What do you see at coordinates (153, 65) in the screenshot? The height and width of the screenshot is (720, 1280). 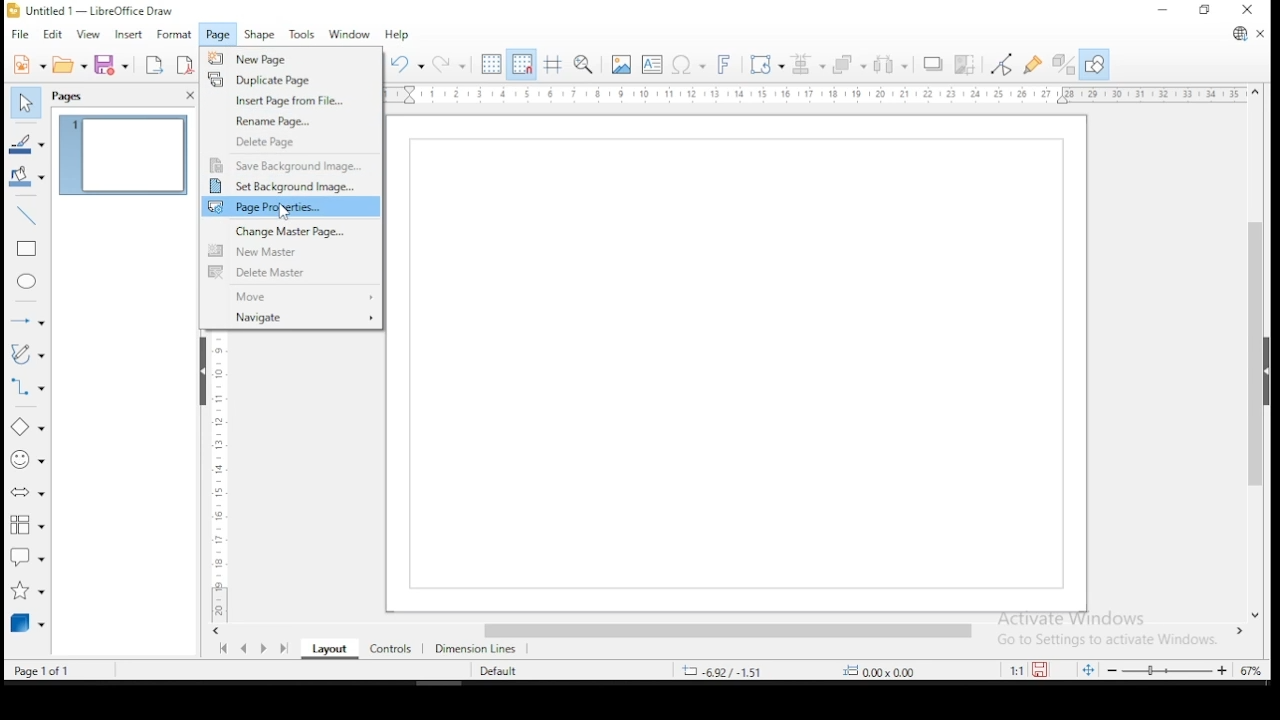 I see `export` at bounding box center [153, 65].